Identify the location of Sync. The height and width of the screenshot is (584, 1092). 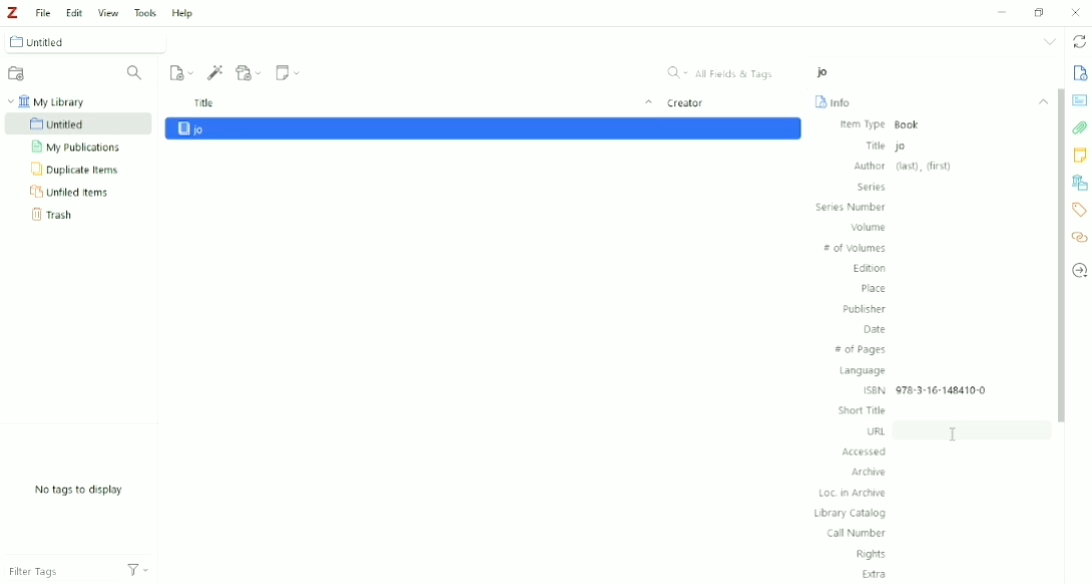
(1080, 41).